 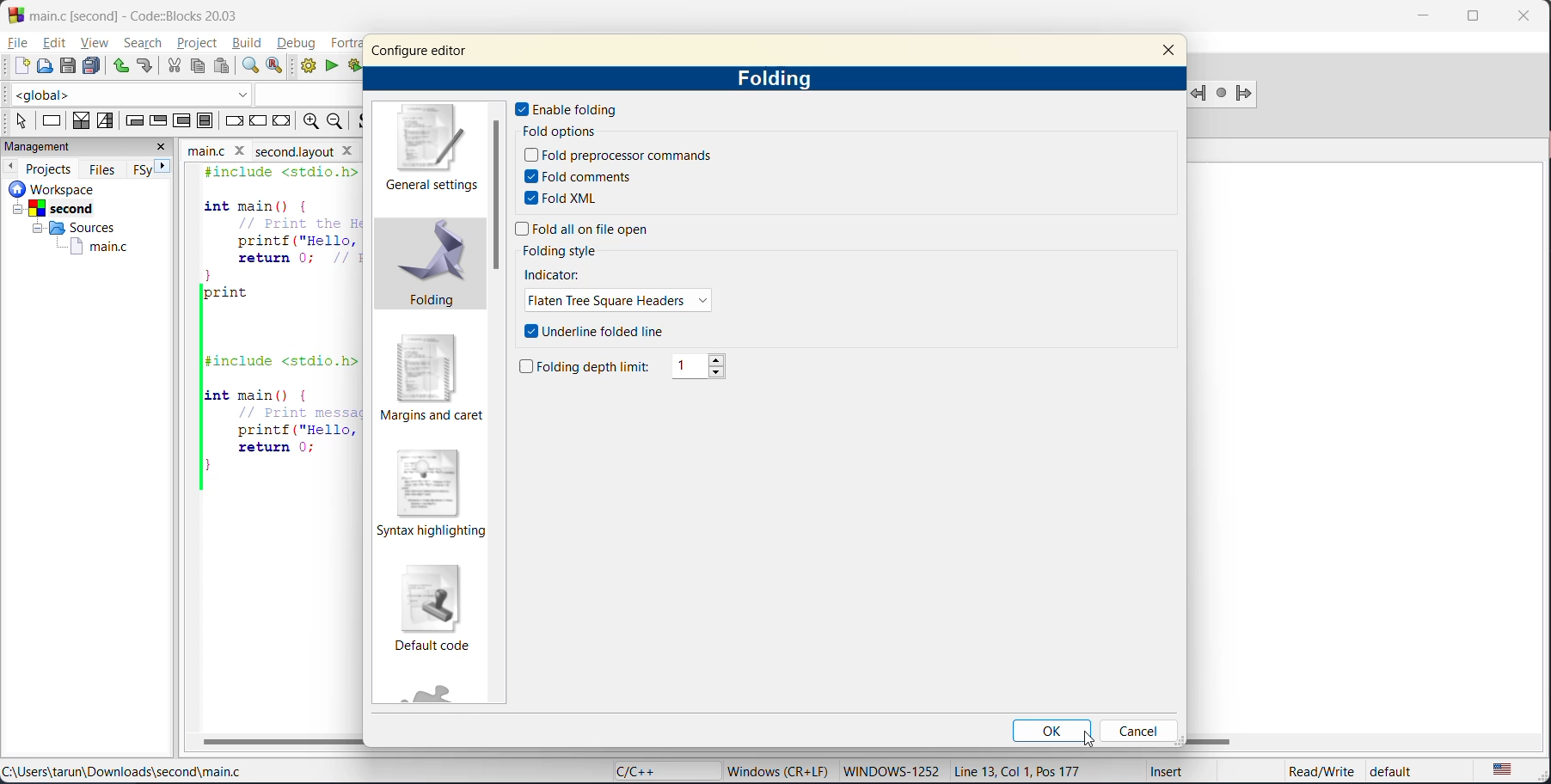 I want to click on projects, so click(x=51, y=167).